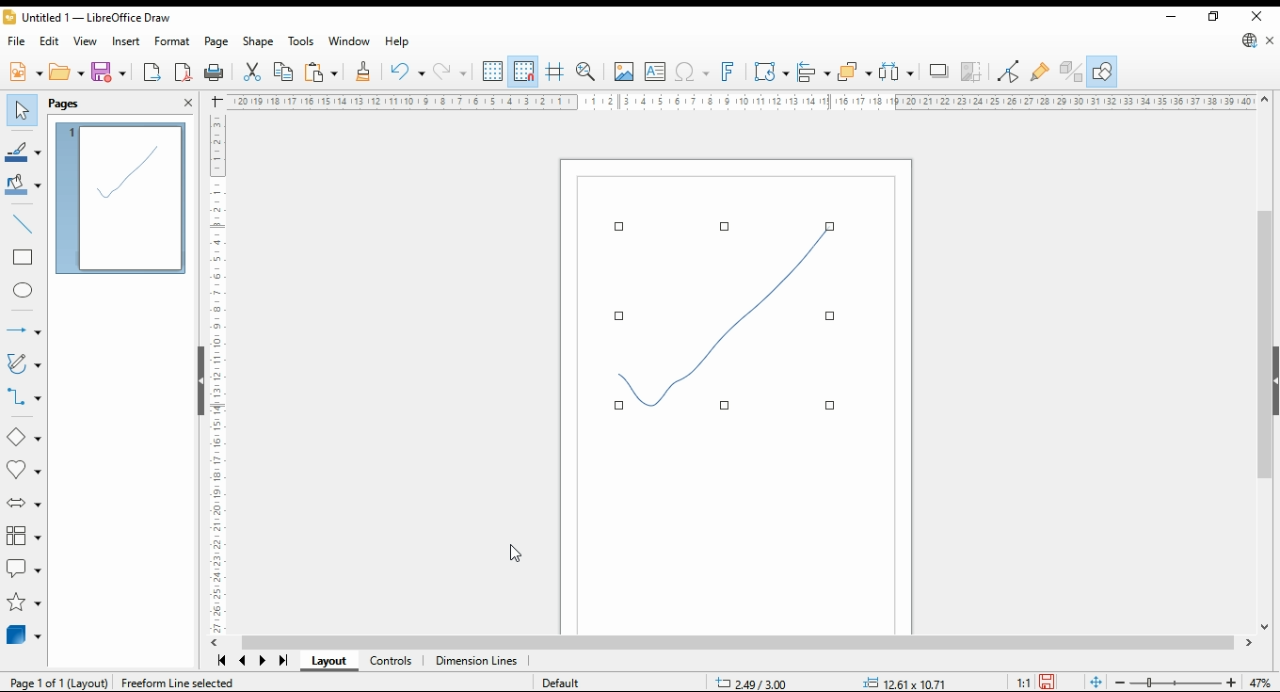  Describe the element at coordinates (1174, 682) in the screenshot. I see `zoom slider` at that location.